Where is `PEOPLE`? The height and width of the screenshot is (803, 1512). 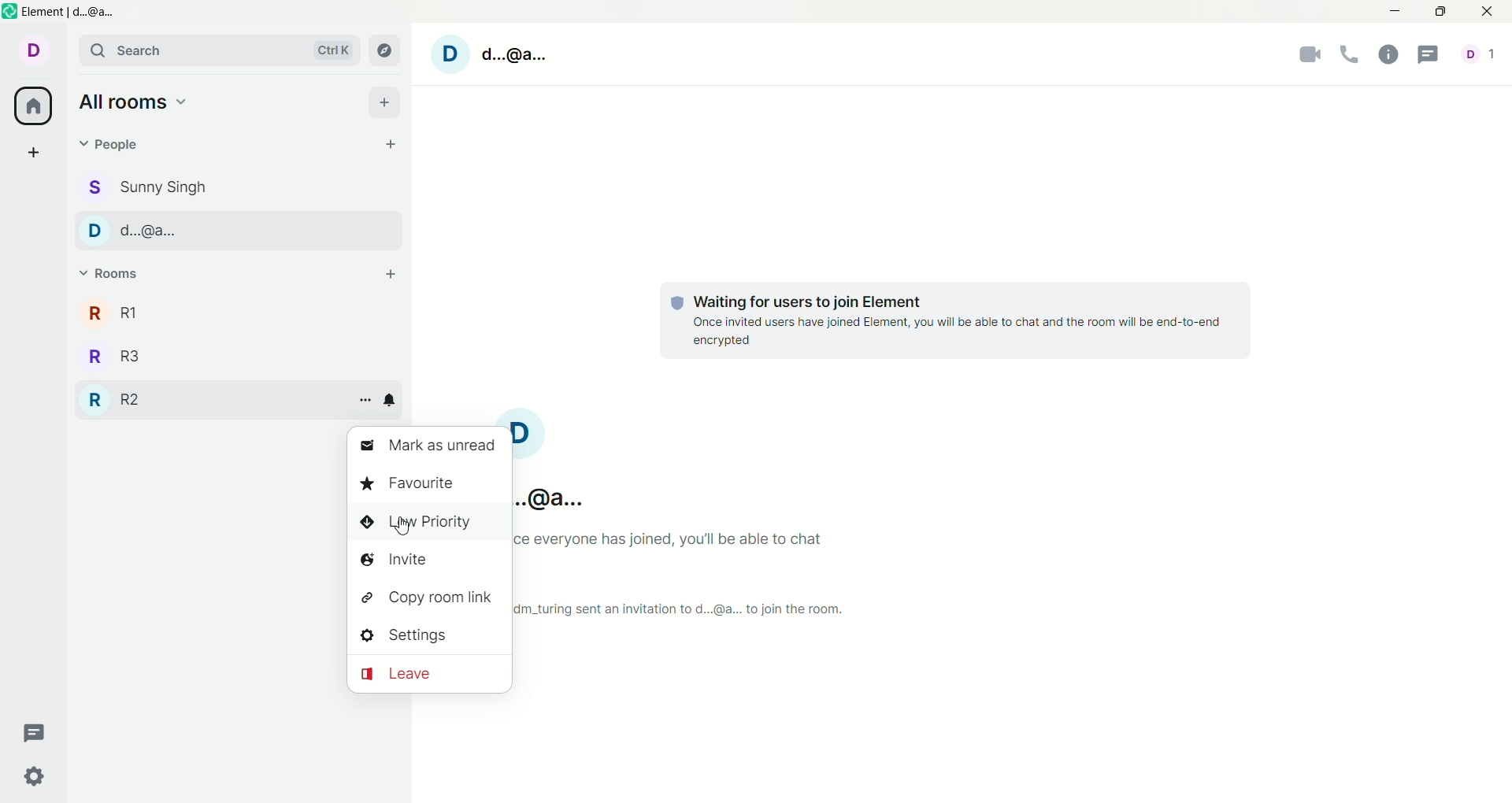
PEOPLE is located at coordinates (144, 230).